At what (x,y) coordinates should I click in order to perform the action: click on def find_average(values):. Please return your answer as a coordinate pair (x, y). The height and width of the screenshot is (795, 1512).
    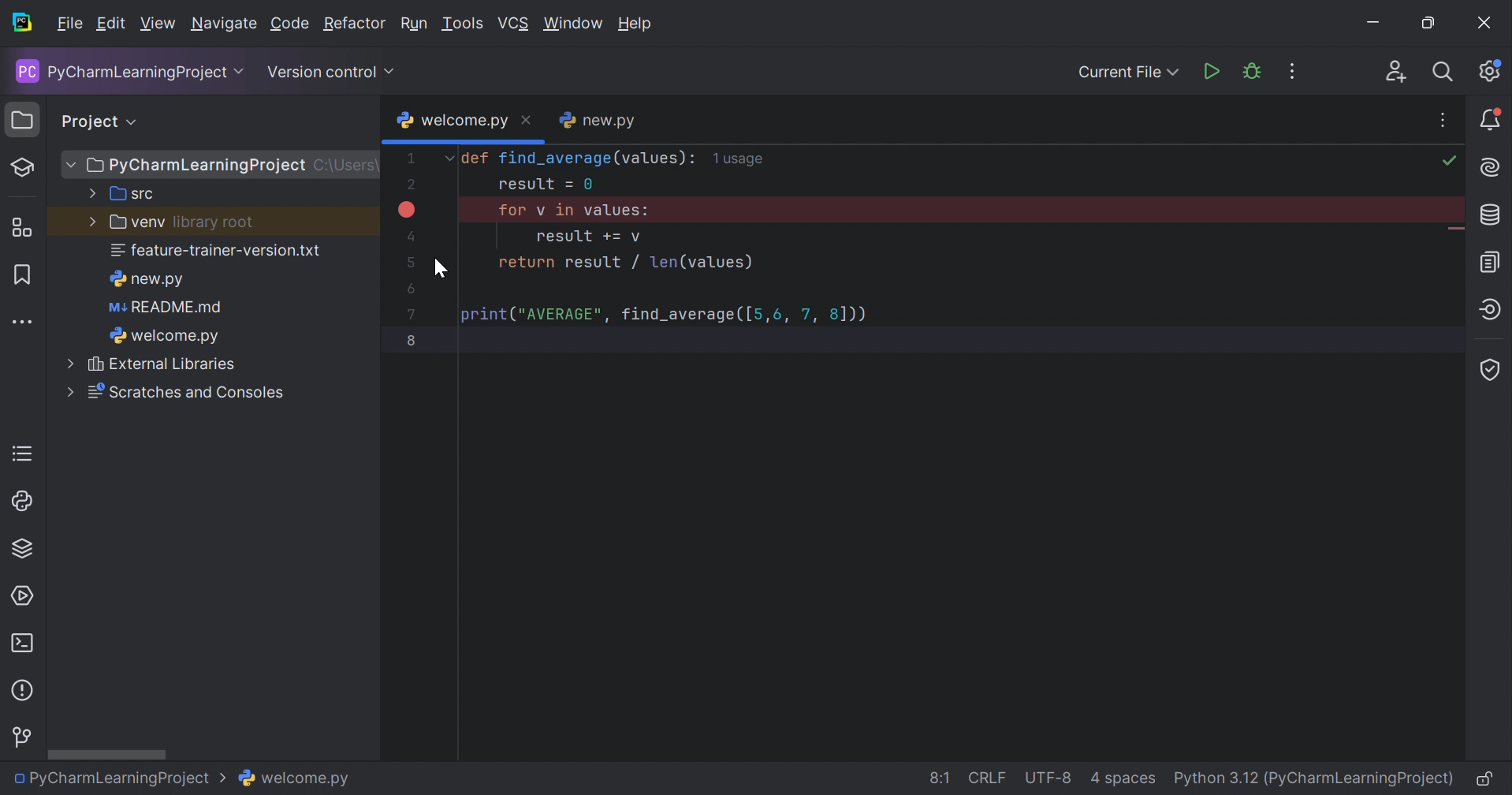
    Looking at the image, I should click on (569, 159).